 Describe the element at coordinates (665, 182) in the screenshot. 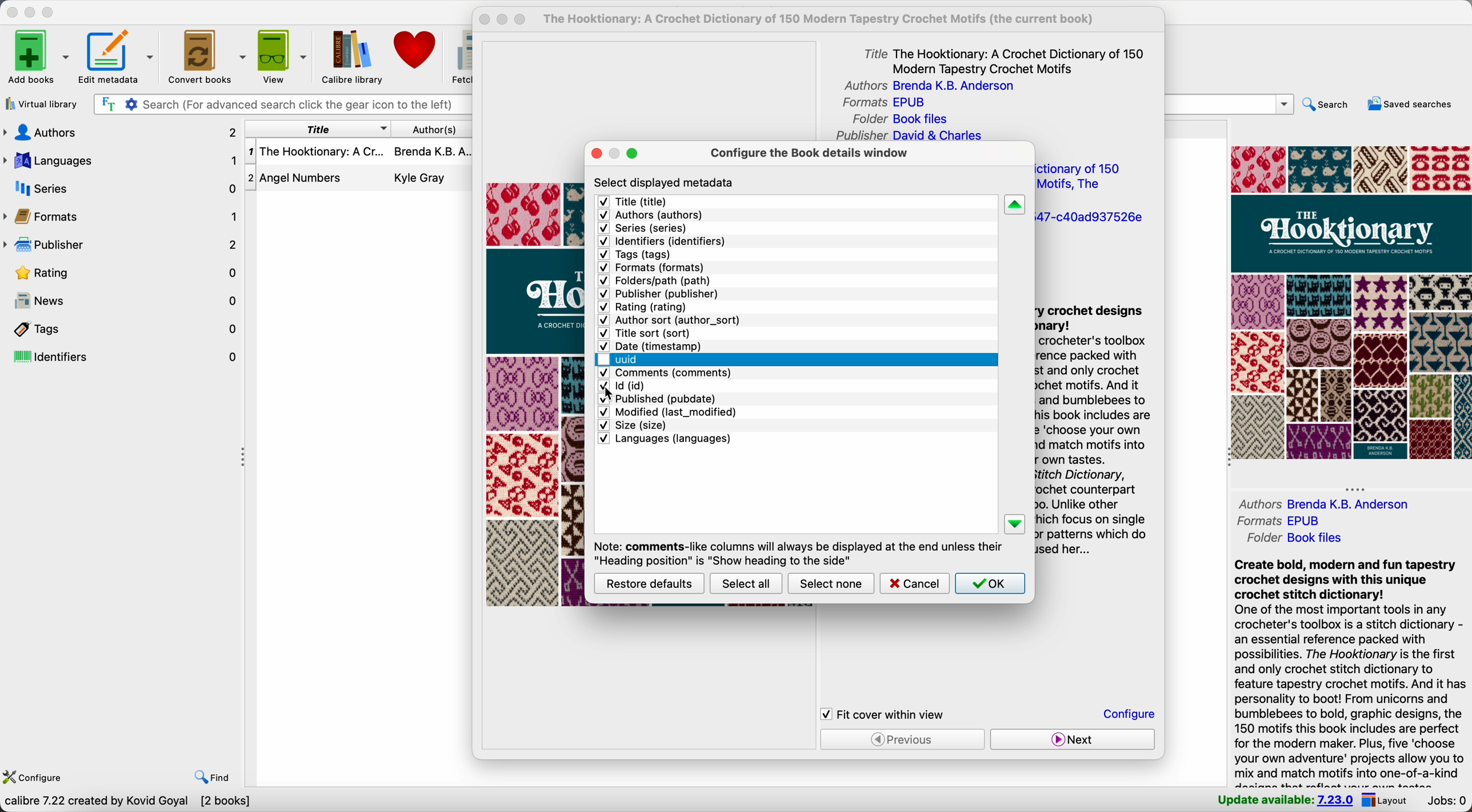

I see `select displayed metadata` at that location.